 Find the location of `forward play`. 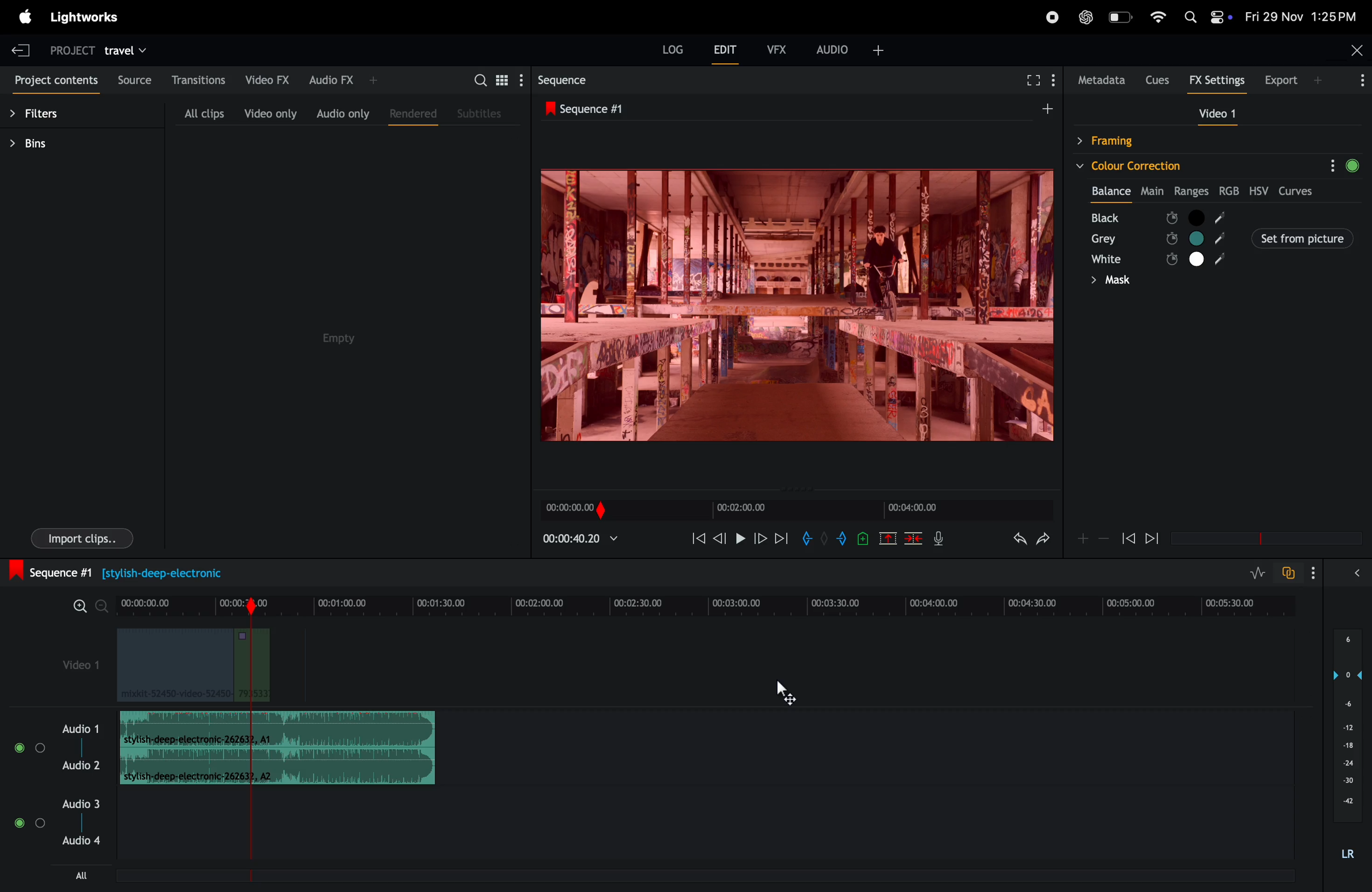

forward play is located at coordinates (782, 541).